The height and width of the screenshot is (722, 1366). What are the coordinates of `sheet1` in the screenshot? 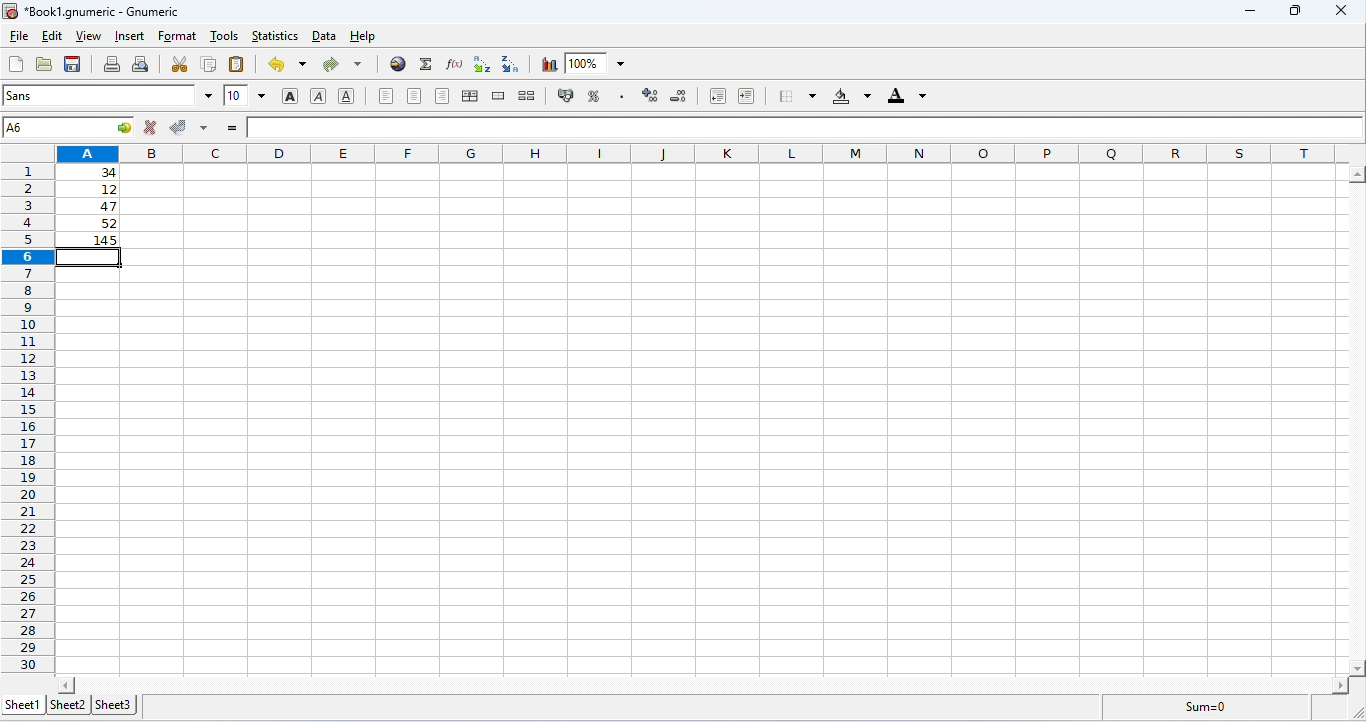 It's located at (23, 706).